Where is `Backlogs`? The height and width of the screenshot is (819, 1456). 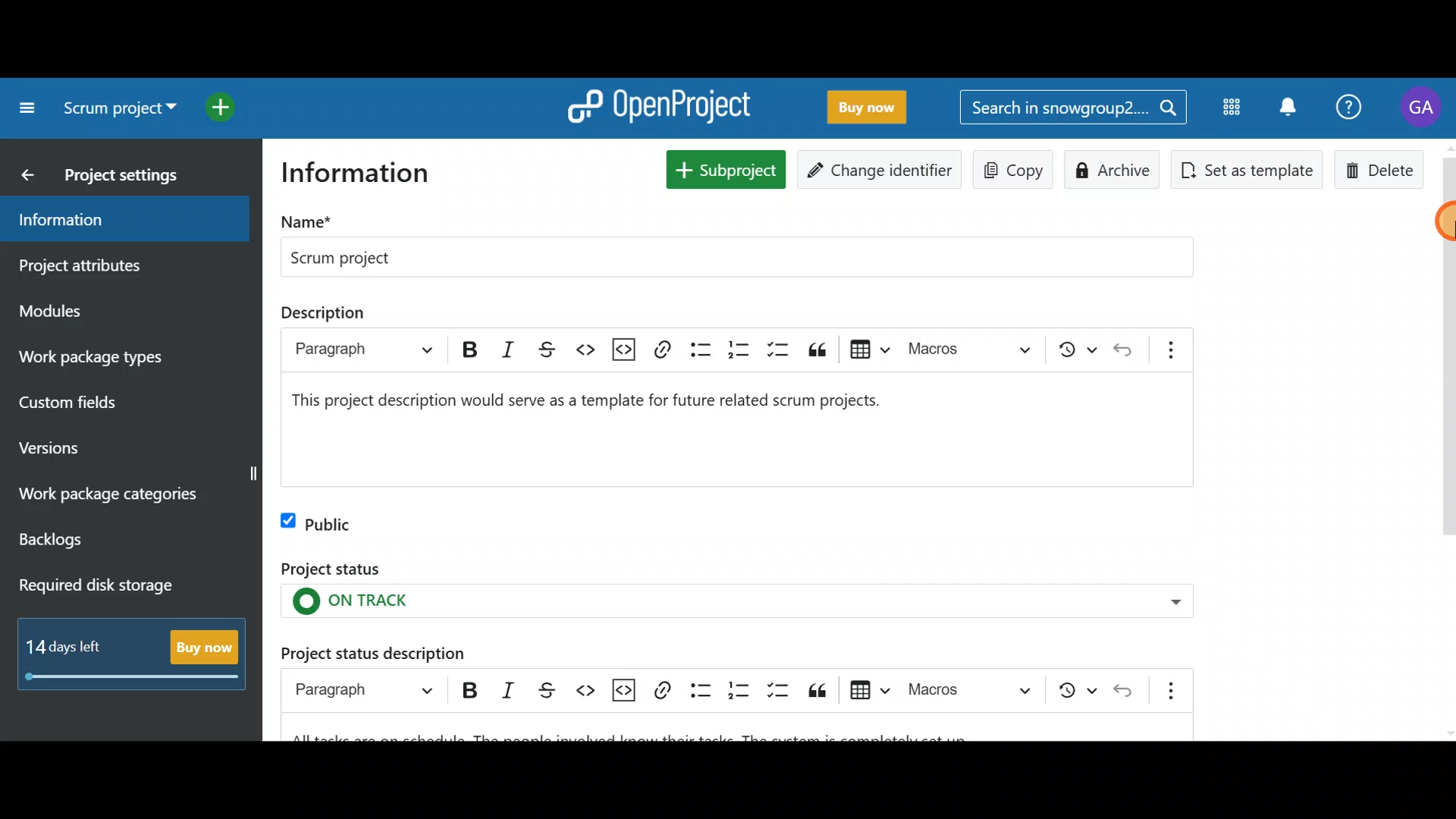 Backlogs is located at coordinates (110, 540).